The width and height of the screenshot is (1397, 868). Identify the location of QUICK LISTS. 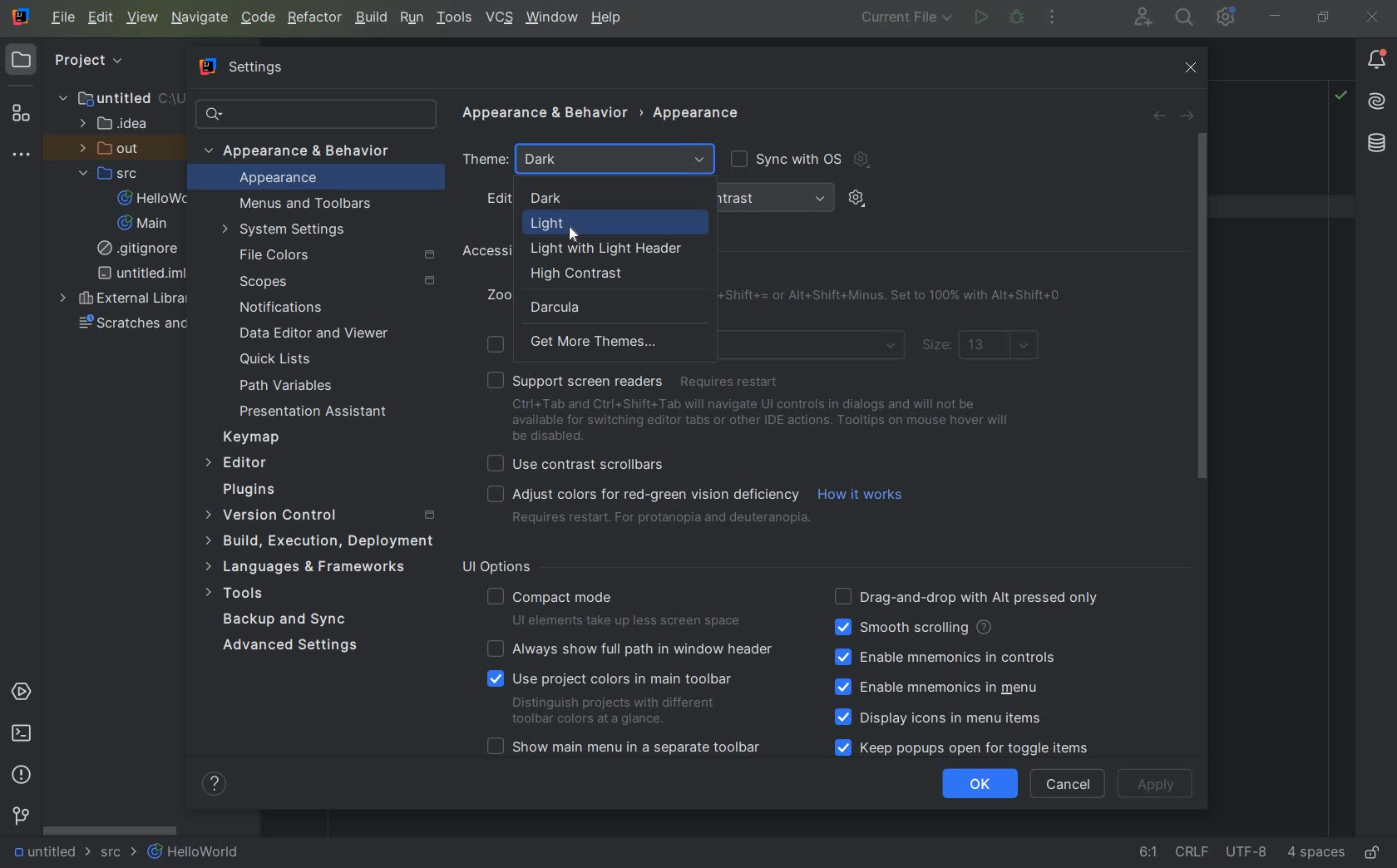
(284, 359).